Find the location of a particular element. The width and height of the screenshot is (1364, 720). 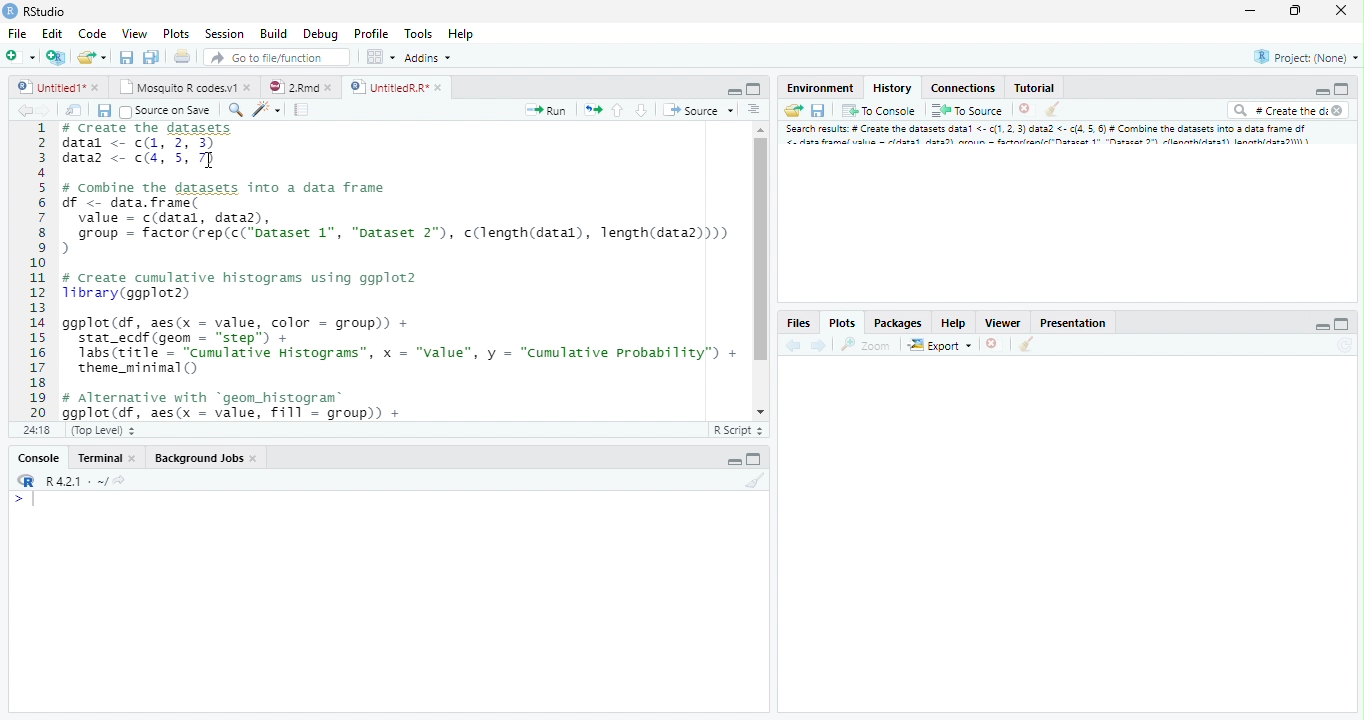

History is located at coordinates (892, 87).